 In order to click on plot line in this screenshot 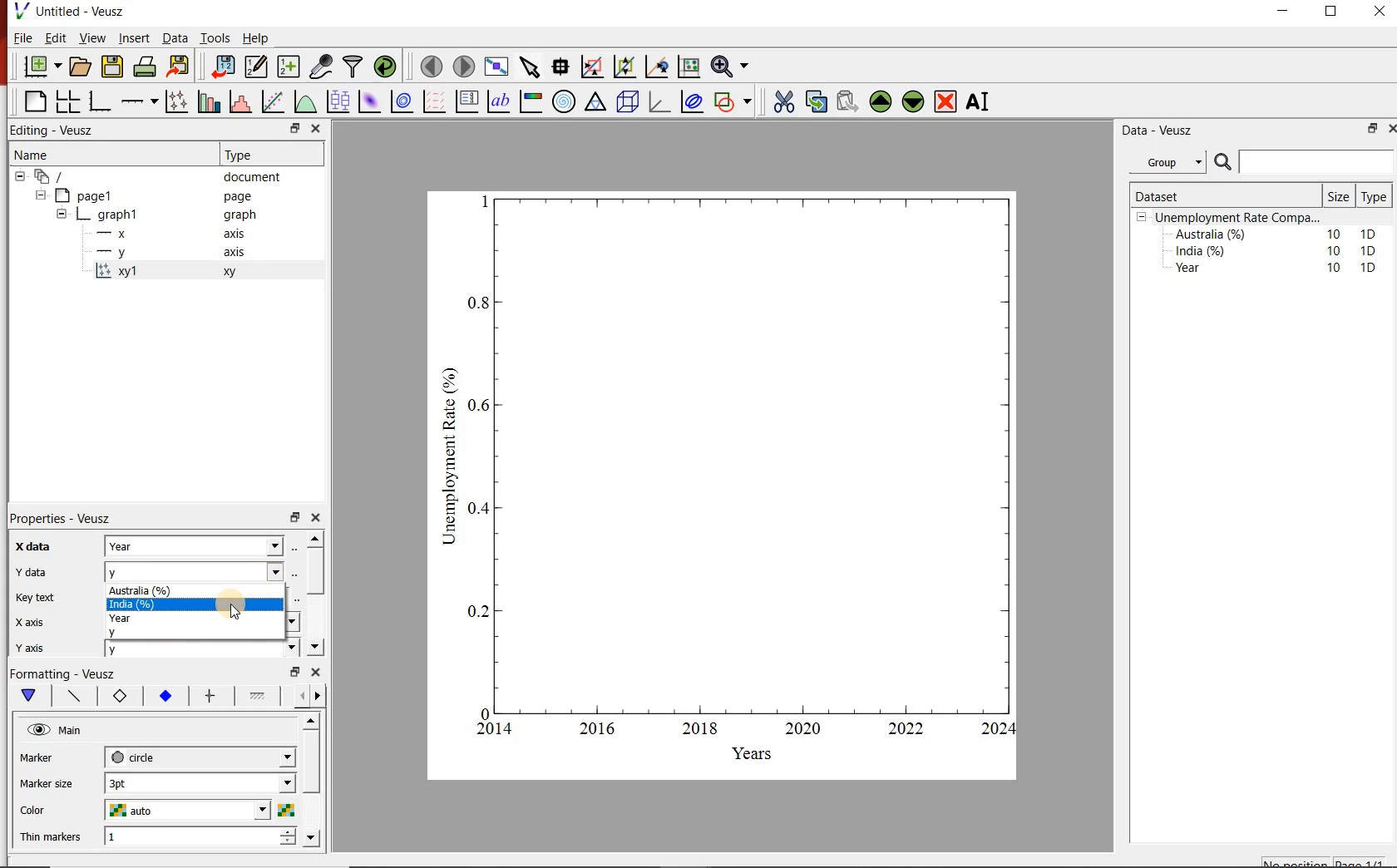, I will do `click(76, 697)`.